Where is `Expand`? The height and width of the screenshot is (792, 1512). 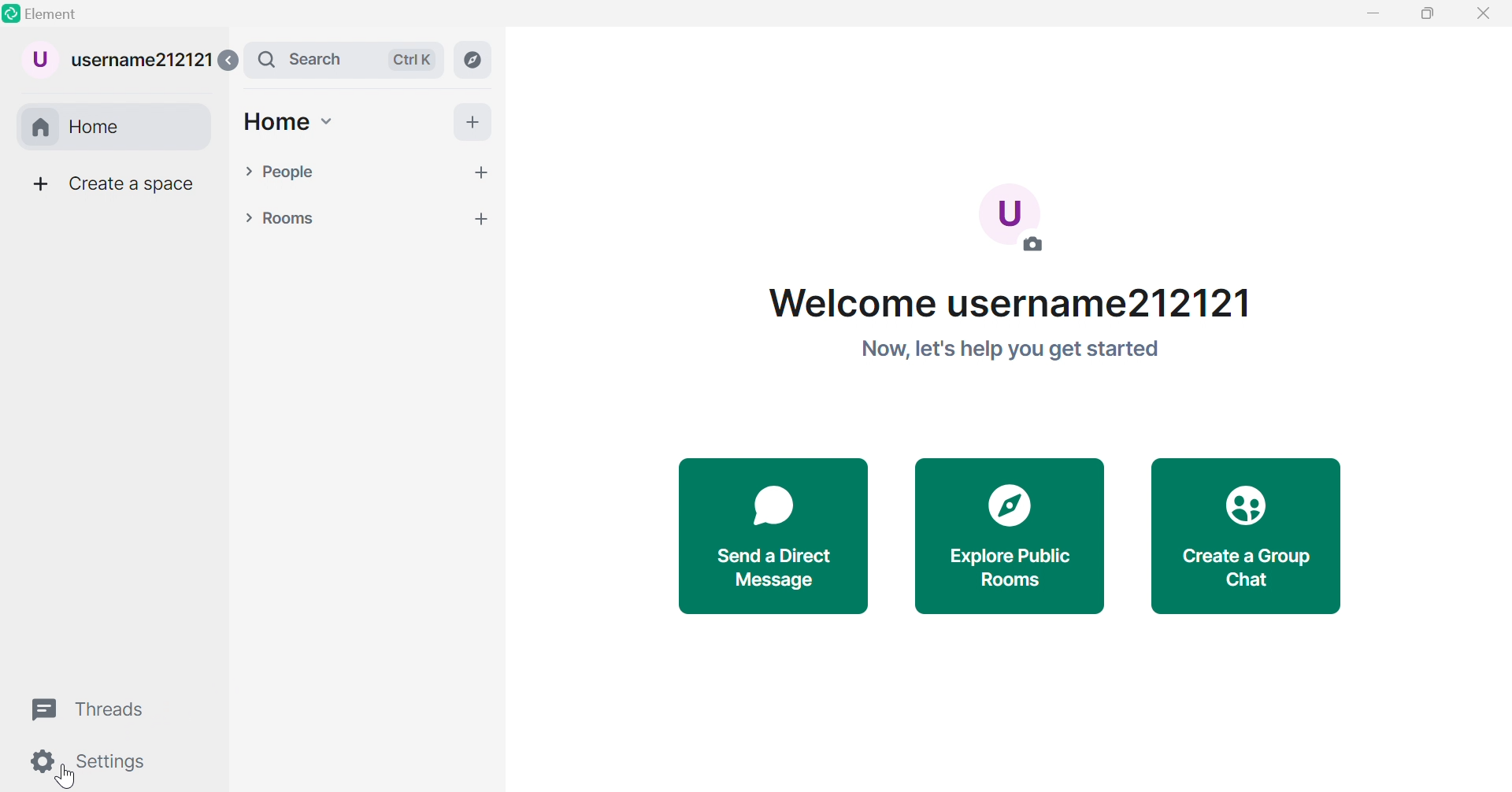
Expand is located at coordinates (228, 61).